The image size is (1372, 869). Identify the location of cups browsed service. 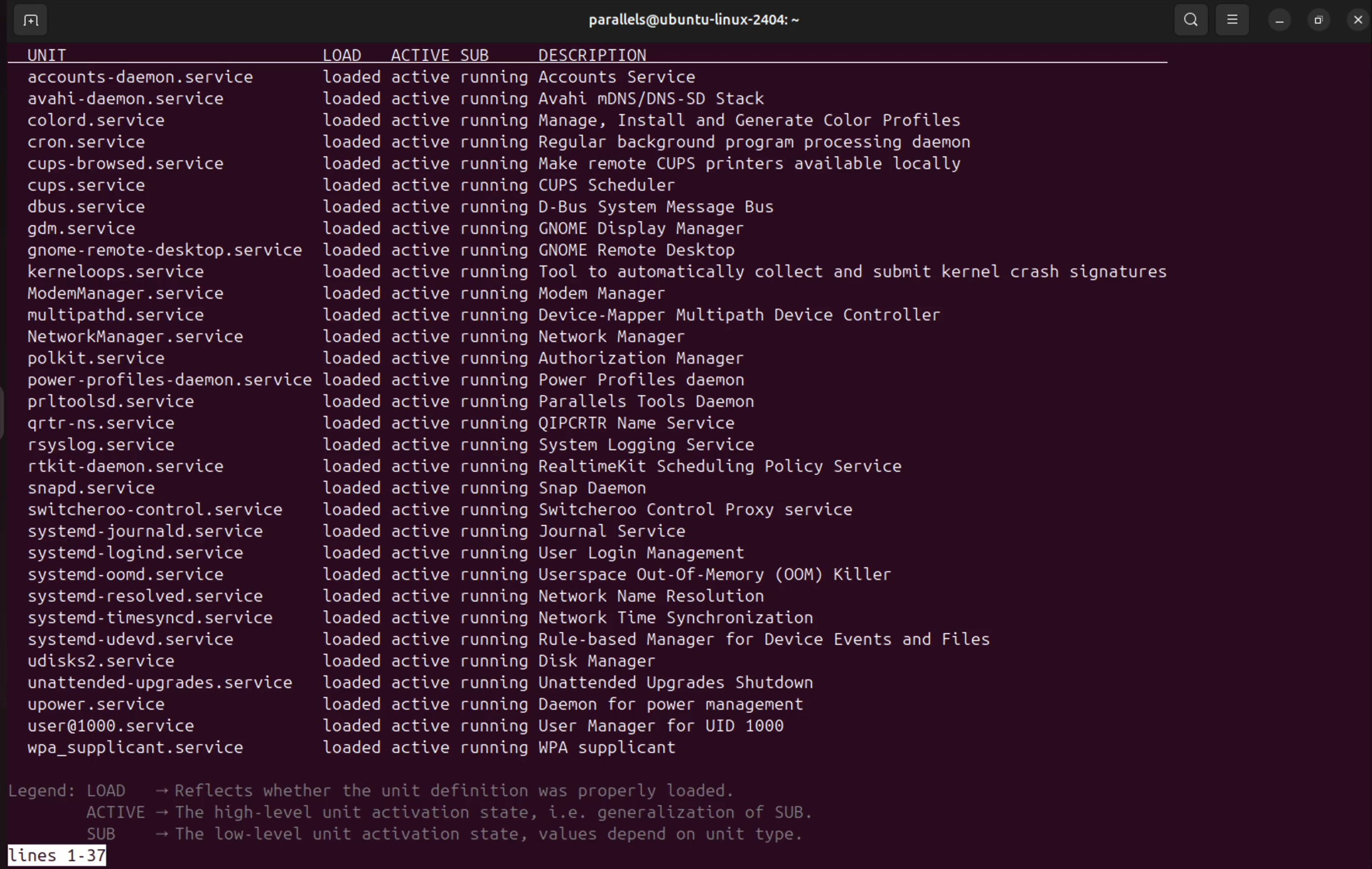
(156, 165).